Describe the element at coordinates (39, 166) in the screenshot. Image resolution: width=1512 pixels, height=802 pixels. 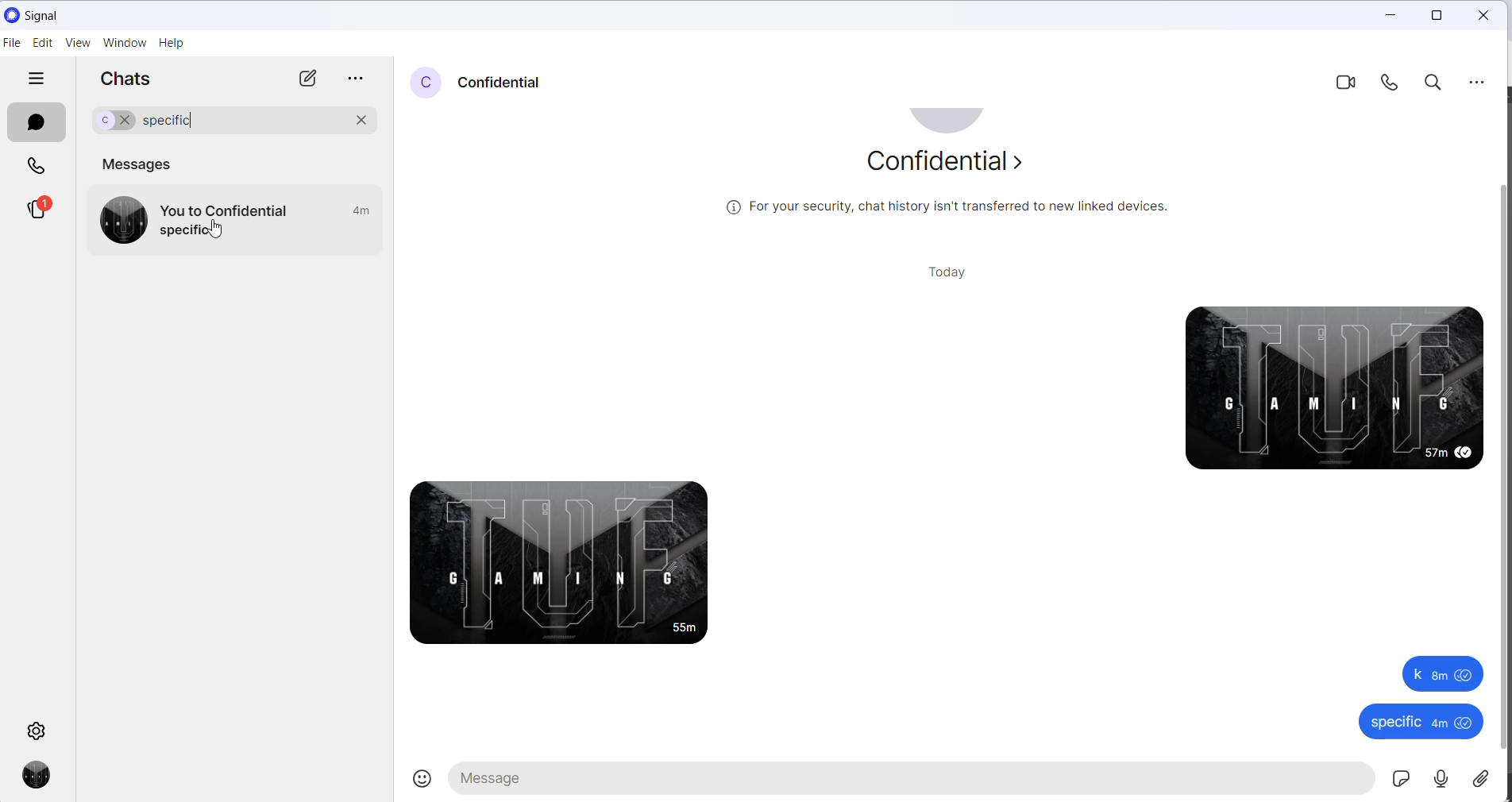
I see `calls` at that location.